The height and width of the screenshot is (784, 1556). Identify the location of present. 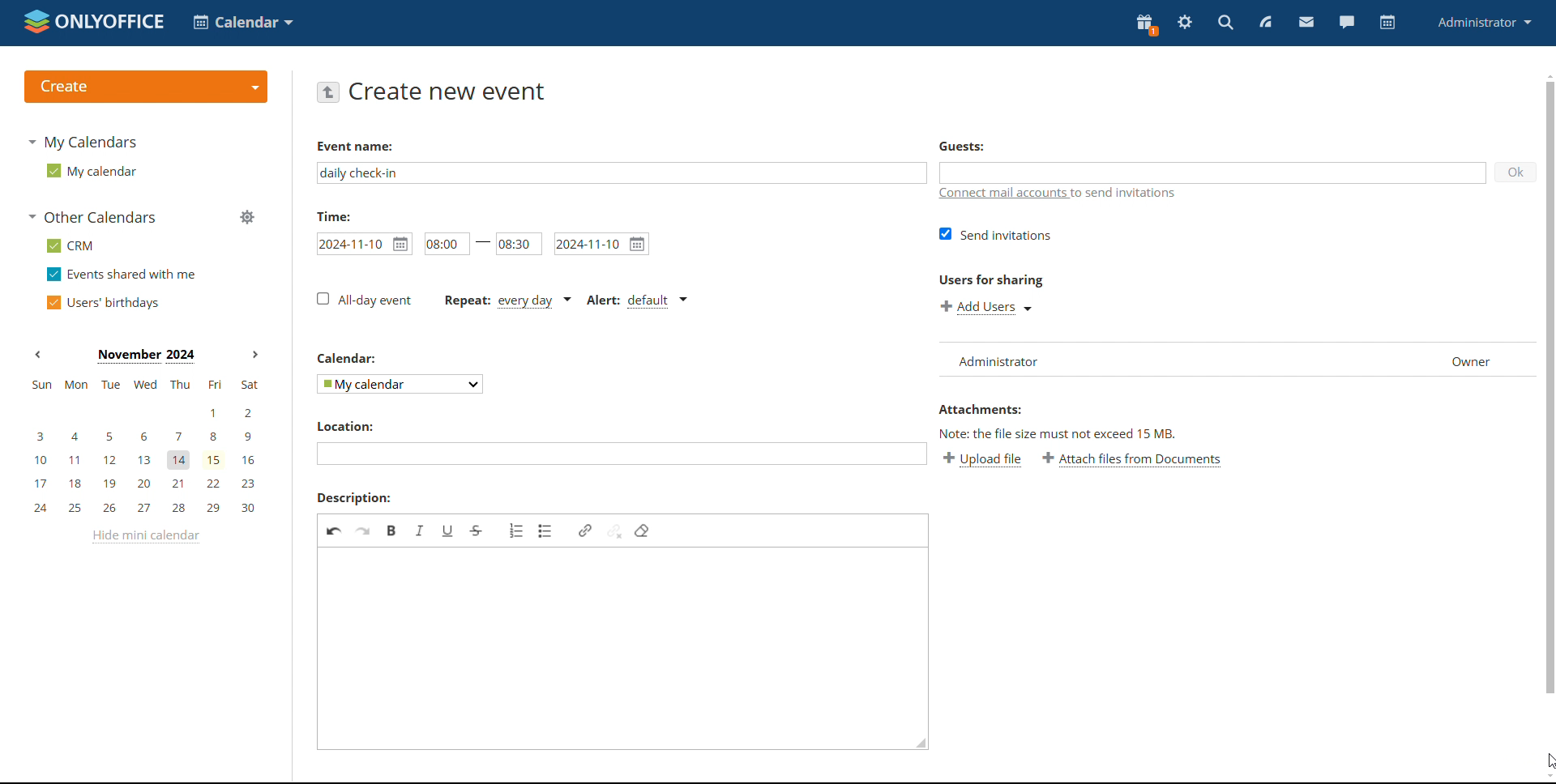
(1145, 24).